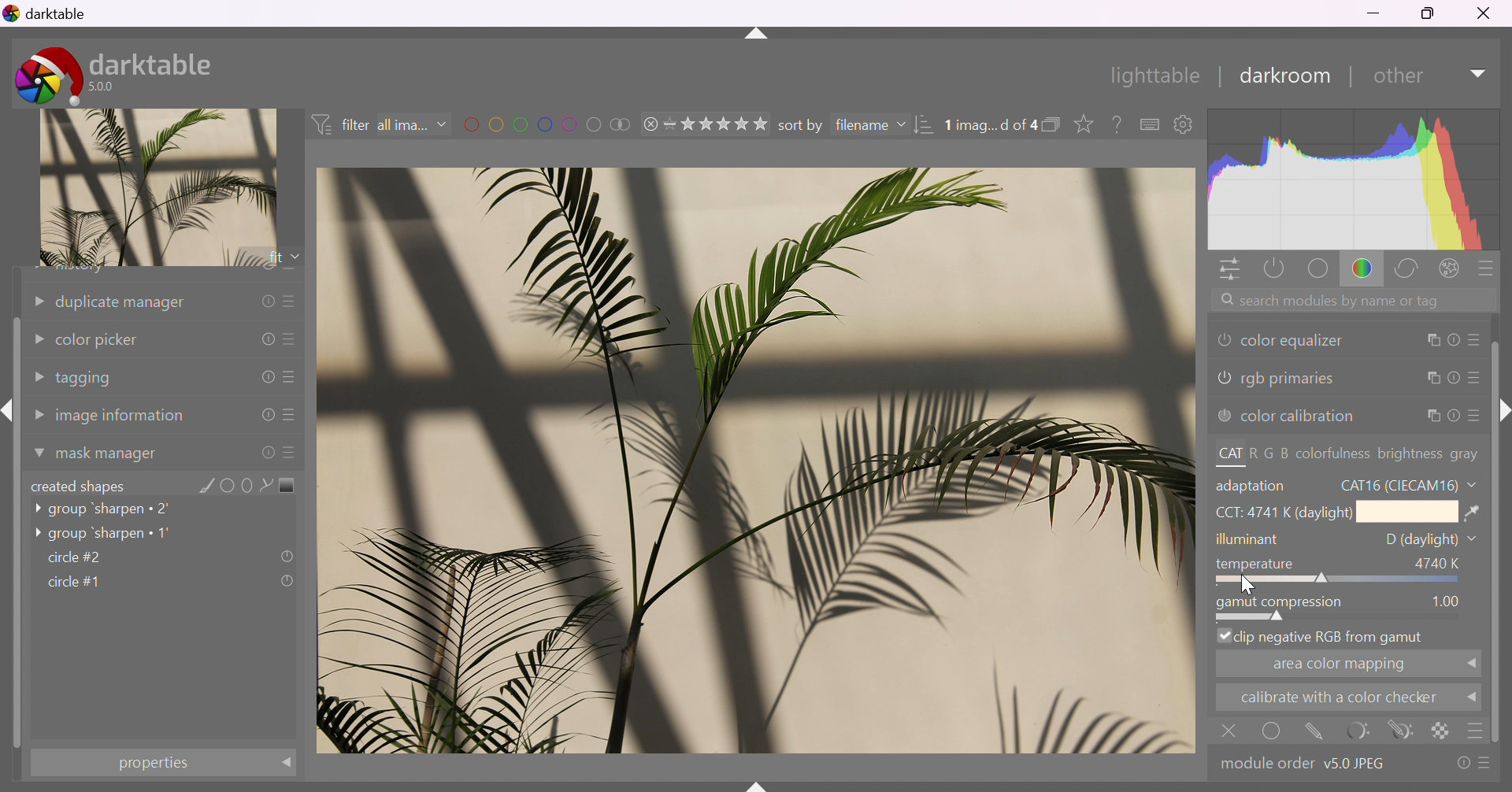 This screenshot has height=792, width=1512. What do you see at coordinates (1228, 270) in the screenshot?
I see `quick access panel` at bounding box center [1228, 270].